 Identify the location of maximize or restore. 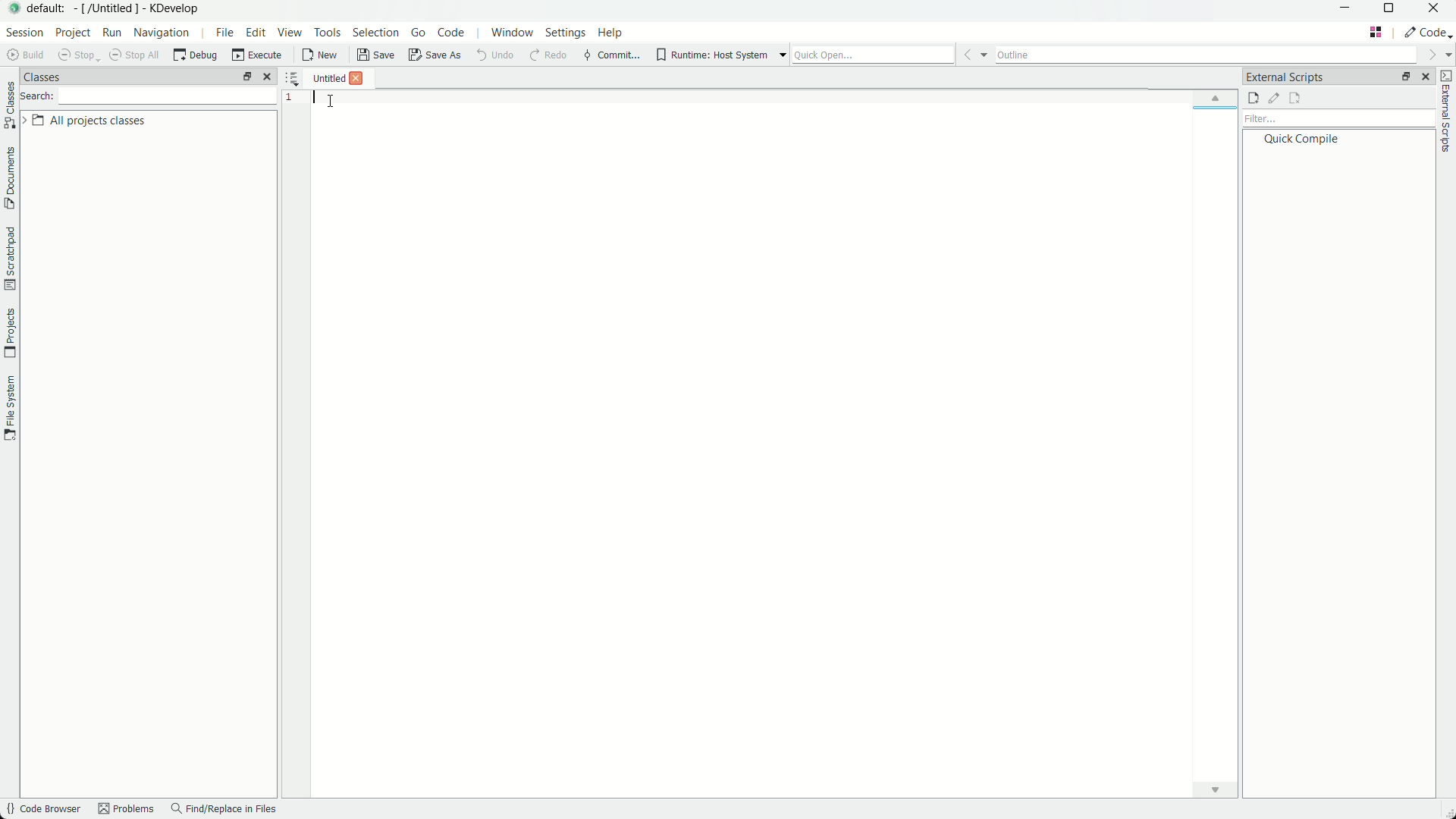
(1390, 11).